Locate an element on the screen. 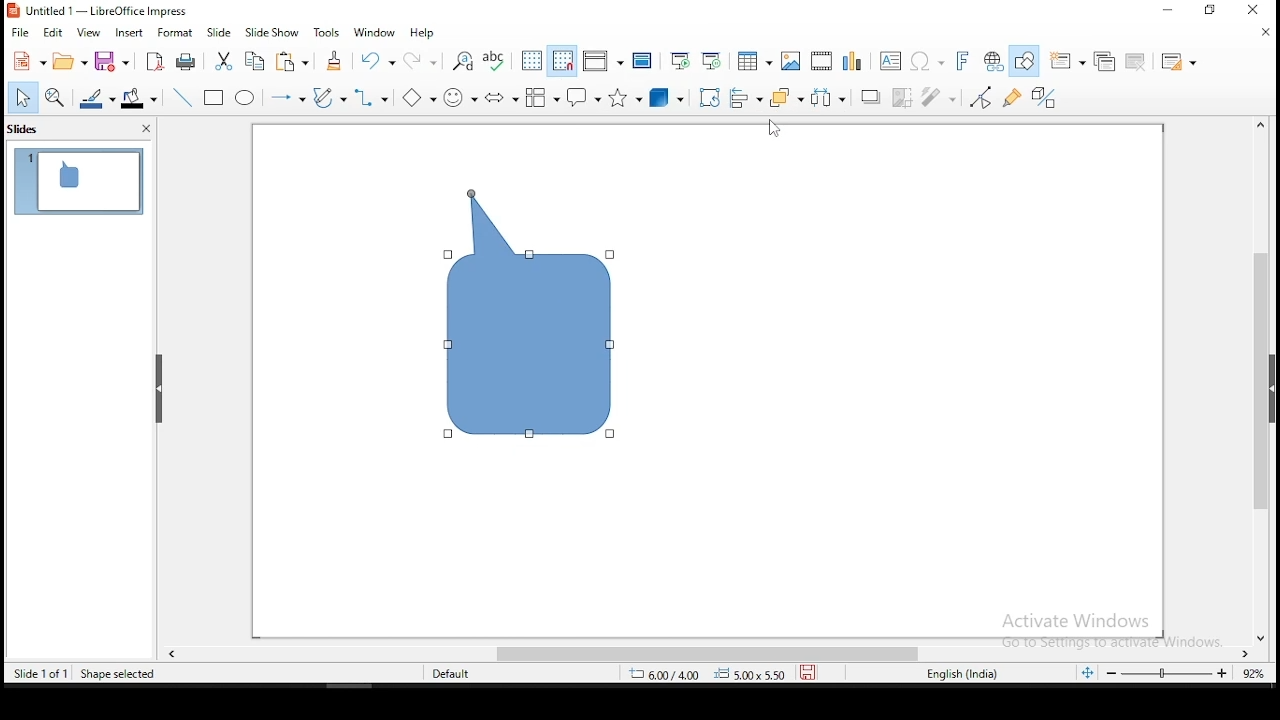 The height and width of the screenshot is (720, 1280). rotate is located at coordinates (711, 98).